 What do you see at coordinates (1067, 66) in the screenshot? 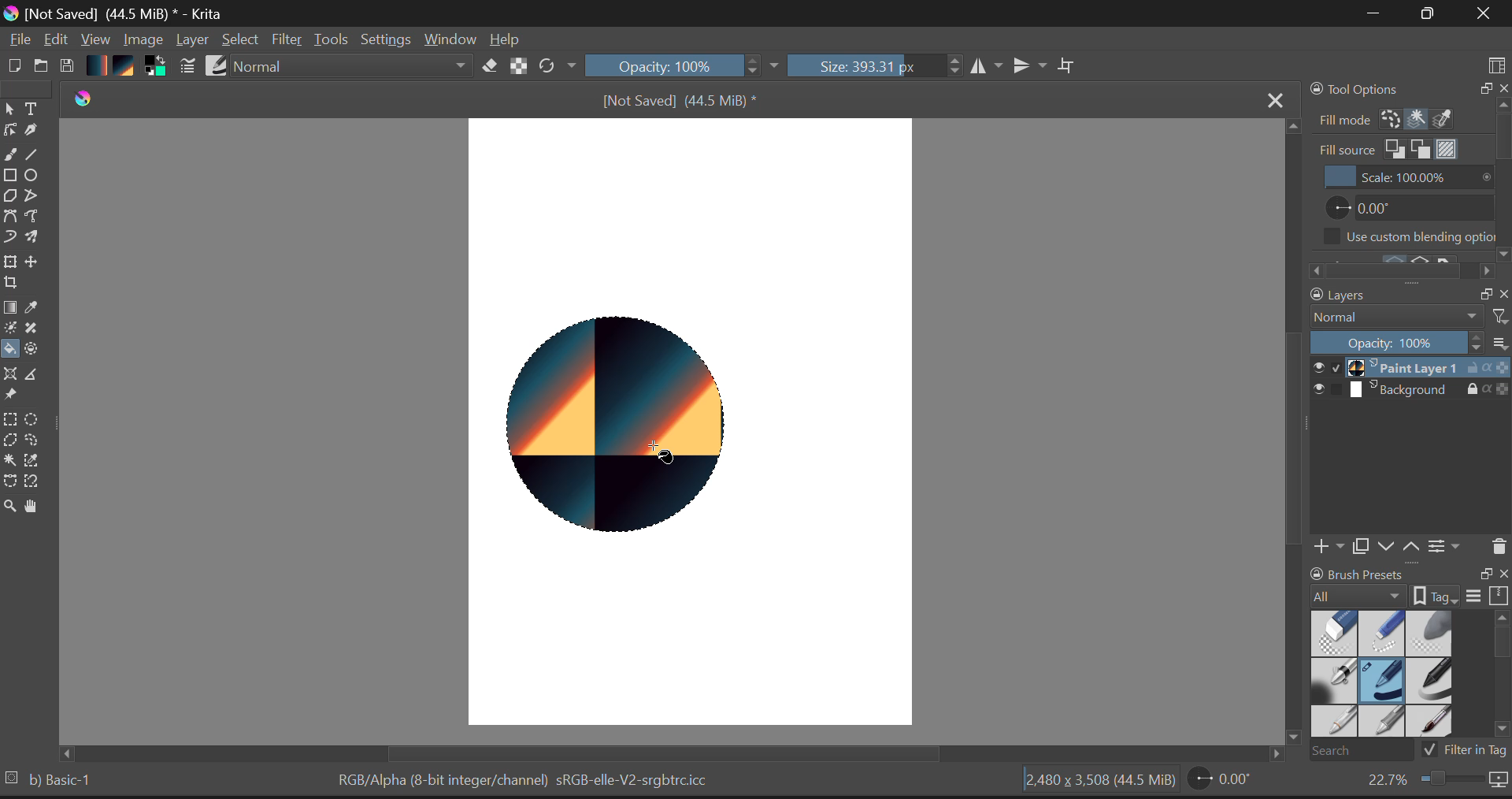
I see `Crop` at bounding box center [1067, 66].